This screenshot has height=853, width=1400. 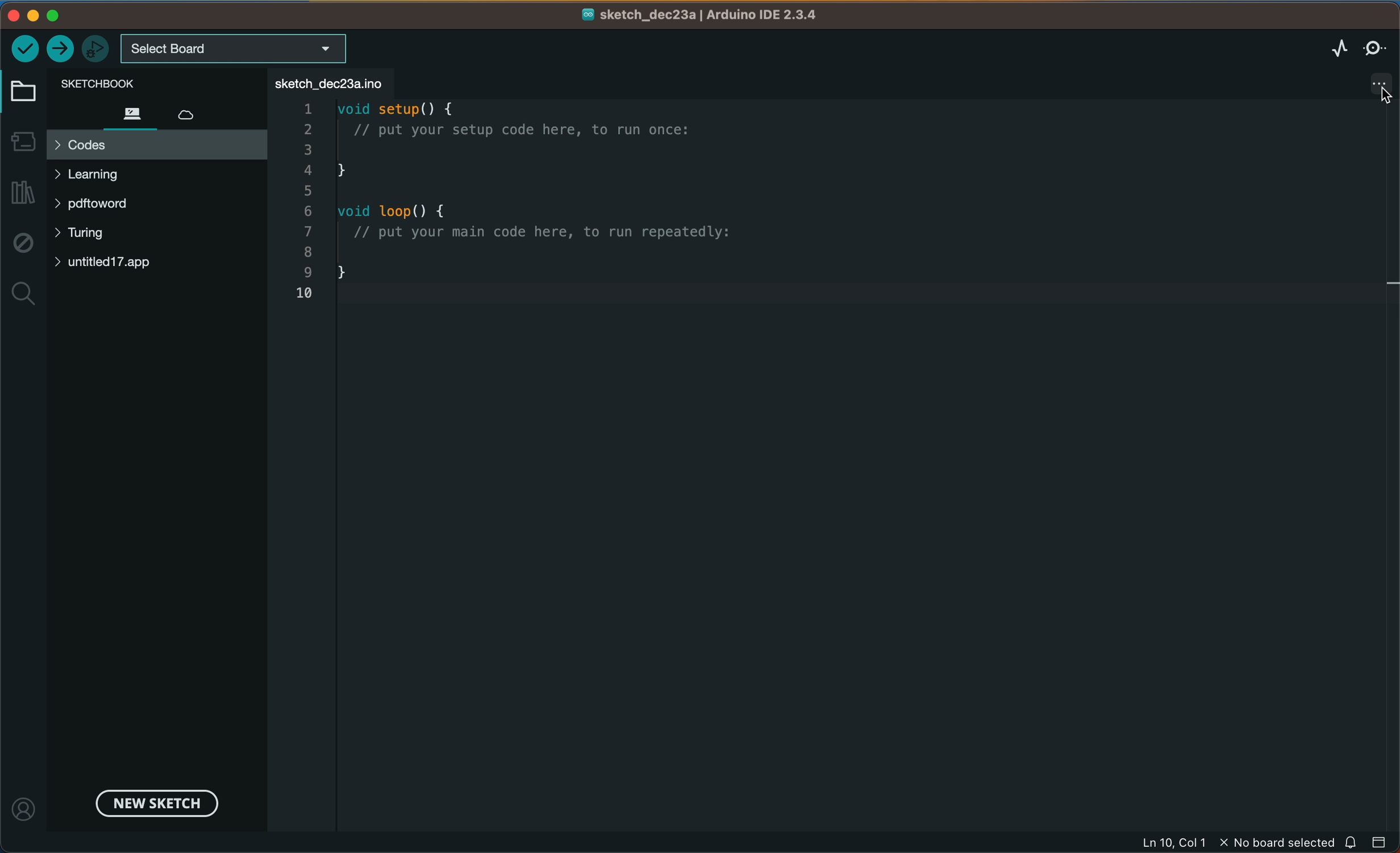 I want to click on debug, so click(x=22, y=244).